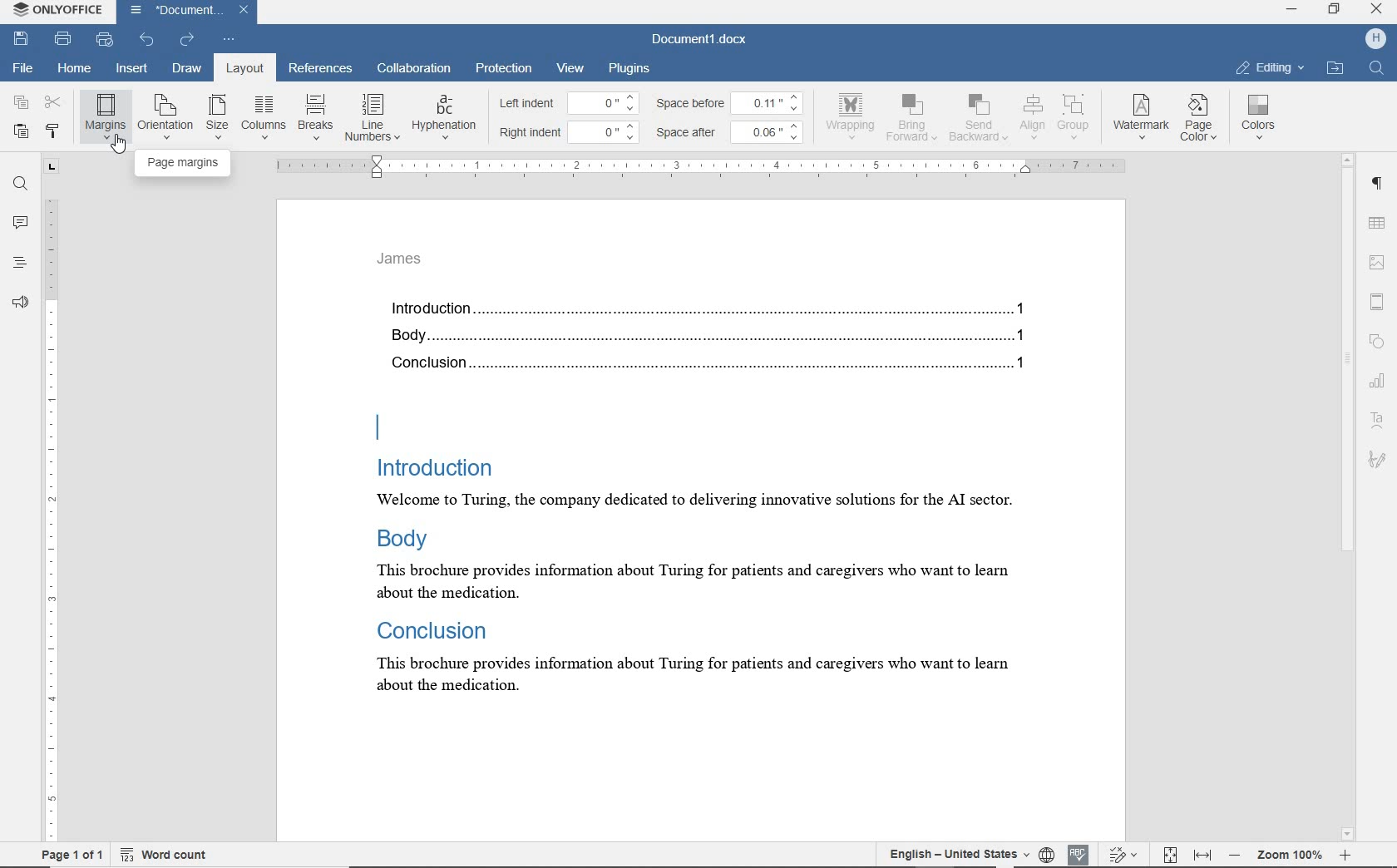  What do you see at coordinates (444, 118) in the screenshot?
I see `hyphenation` at bounding box center [444, 118].